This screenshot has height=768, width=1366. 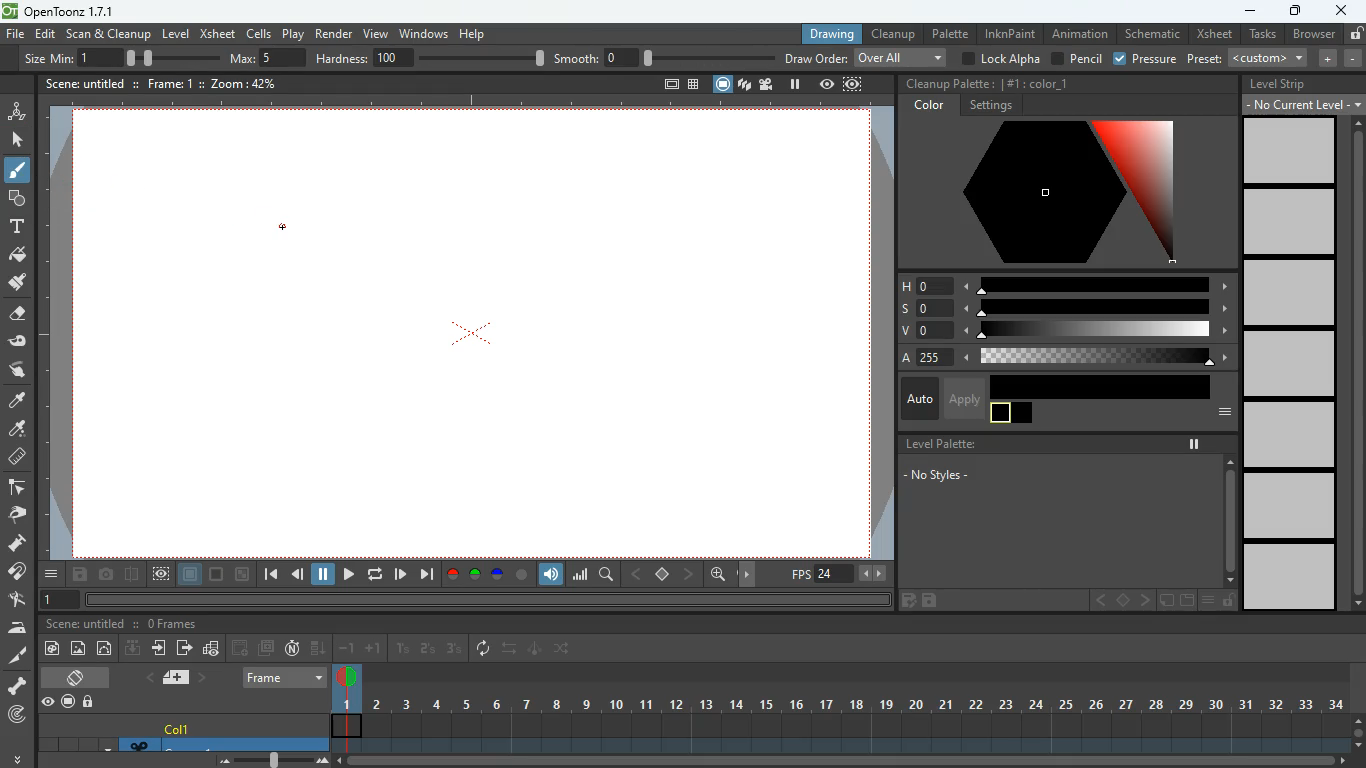 I want to click on radar, so click(x=19, y=716).